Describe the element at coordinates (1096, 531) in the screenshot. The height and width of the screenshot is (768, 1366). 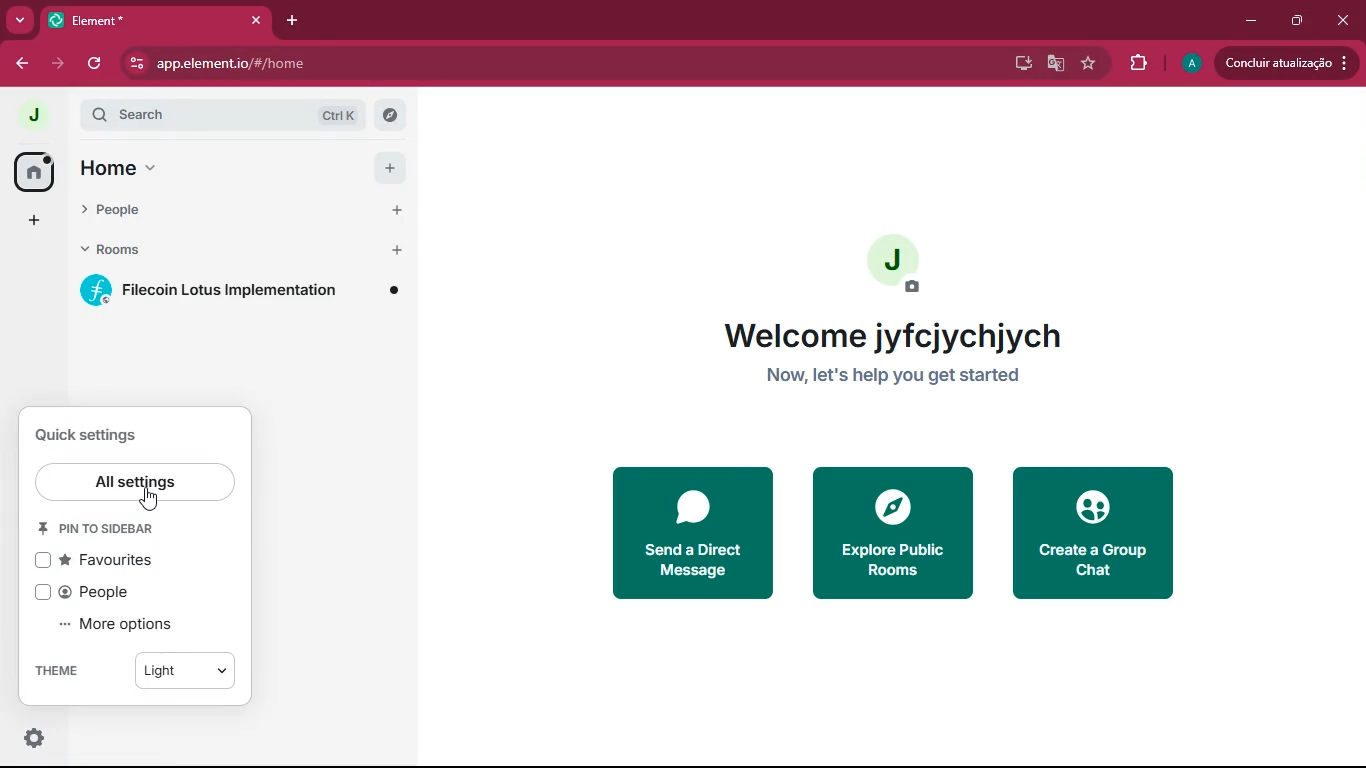
I see `create a group chat` at that location.